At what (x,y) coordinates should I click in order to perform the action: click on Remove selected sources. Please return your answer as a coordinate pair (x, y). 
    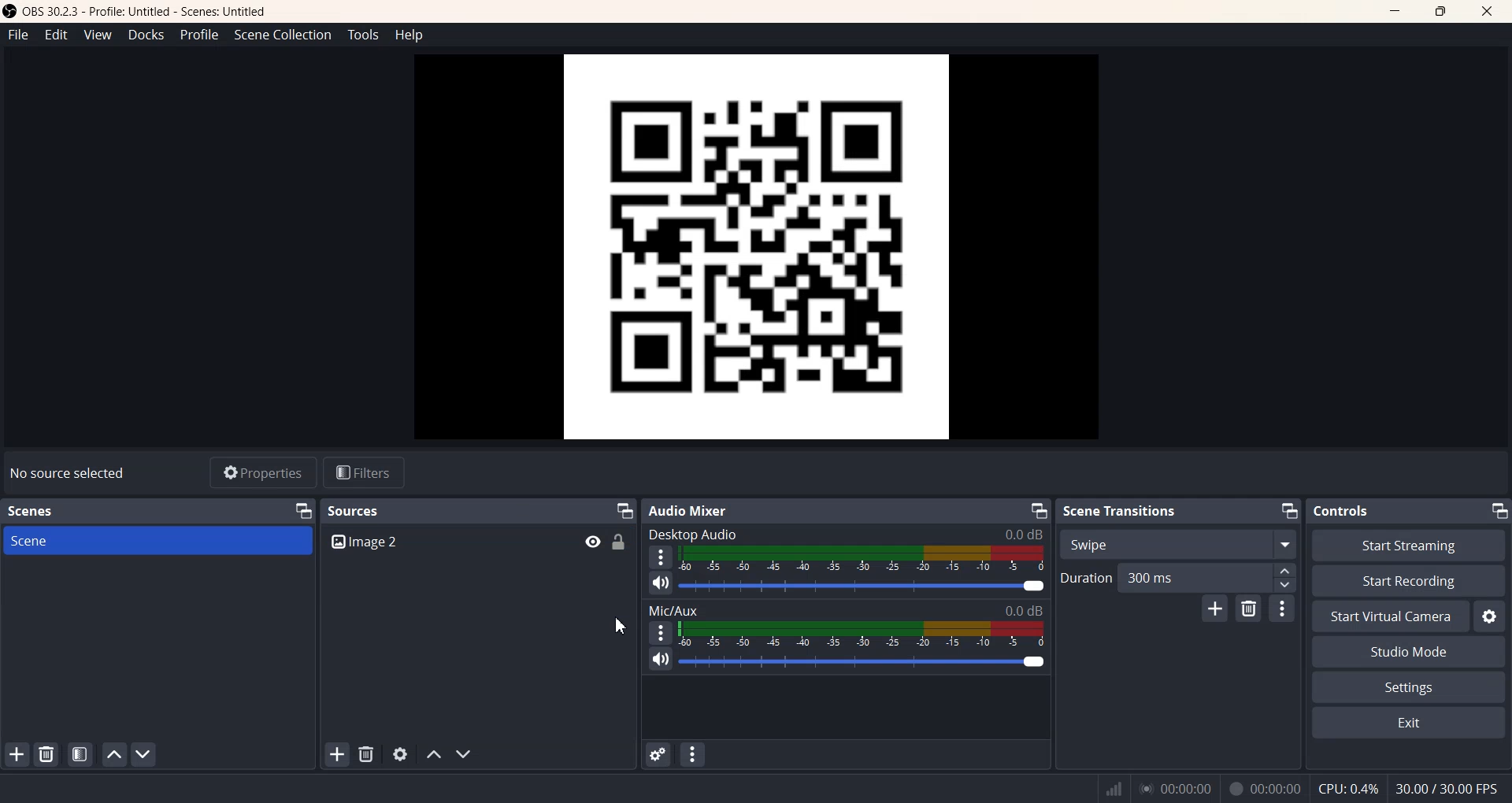
    Looking at the image, I should click on (366, 755).